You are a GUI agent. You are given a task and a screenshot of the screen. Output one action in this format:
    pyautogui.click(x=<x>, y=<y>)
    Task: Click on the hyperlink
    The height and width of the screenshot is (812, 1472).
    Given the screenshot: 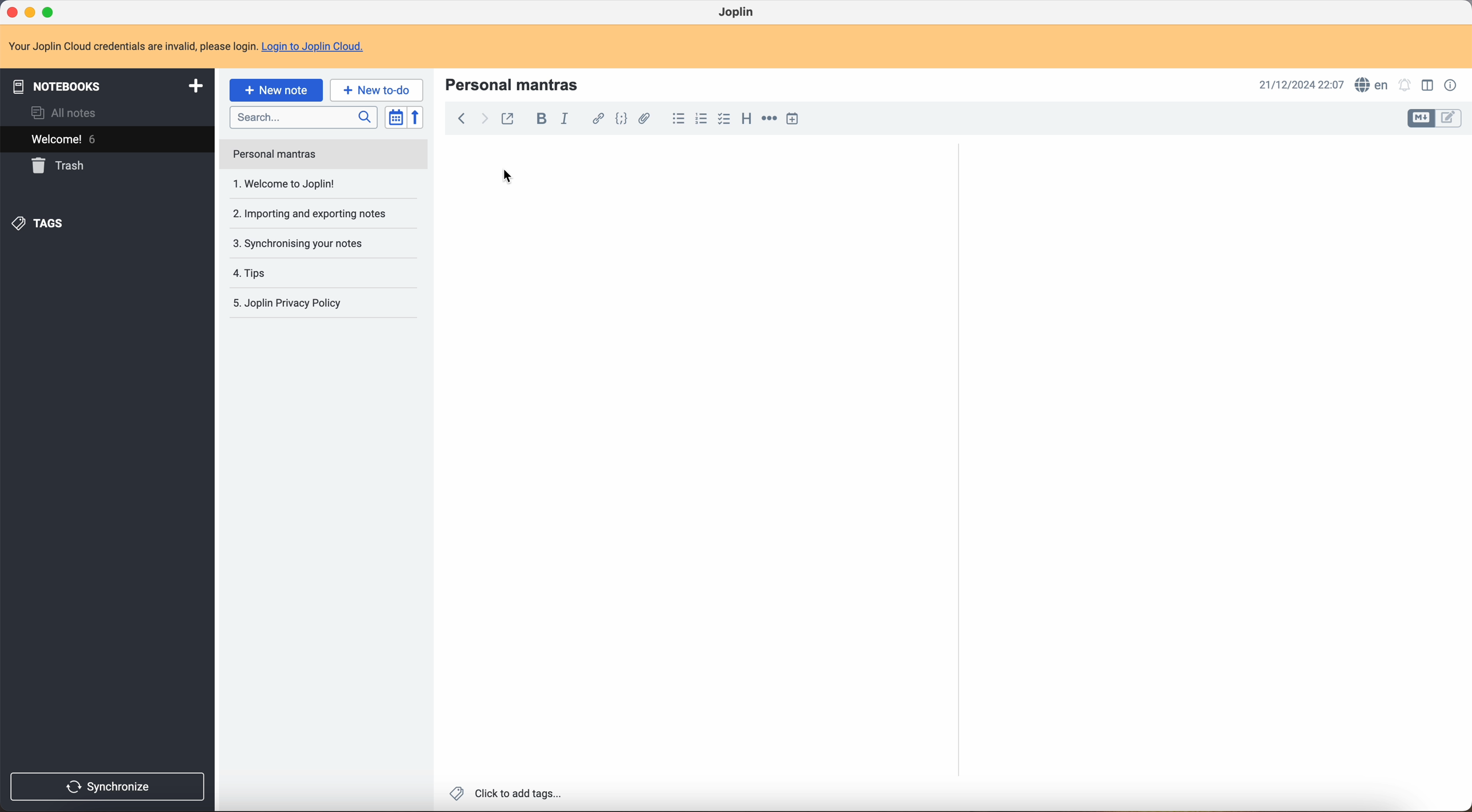 What is the action you would take?
    pyautogui.click(x=597, y=119)
    